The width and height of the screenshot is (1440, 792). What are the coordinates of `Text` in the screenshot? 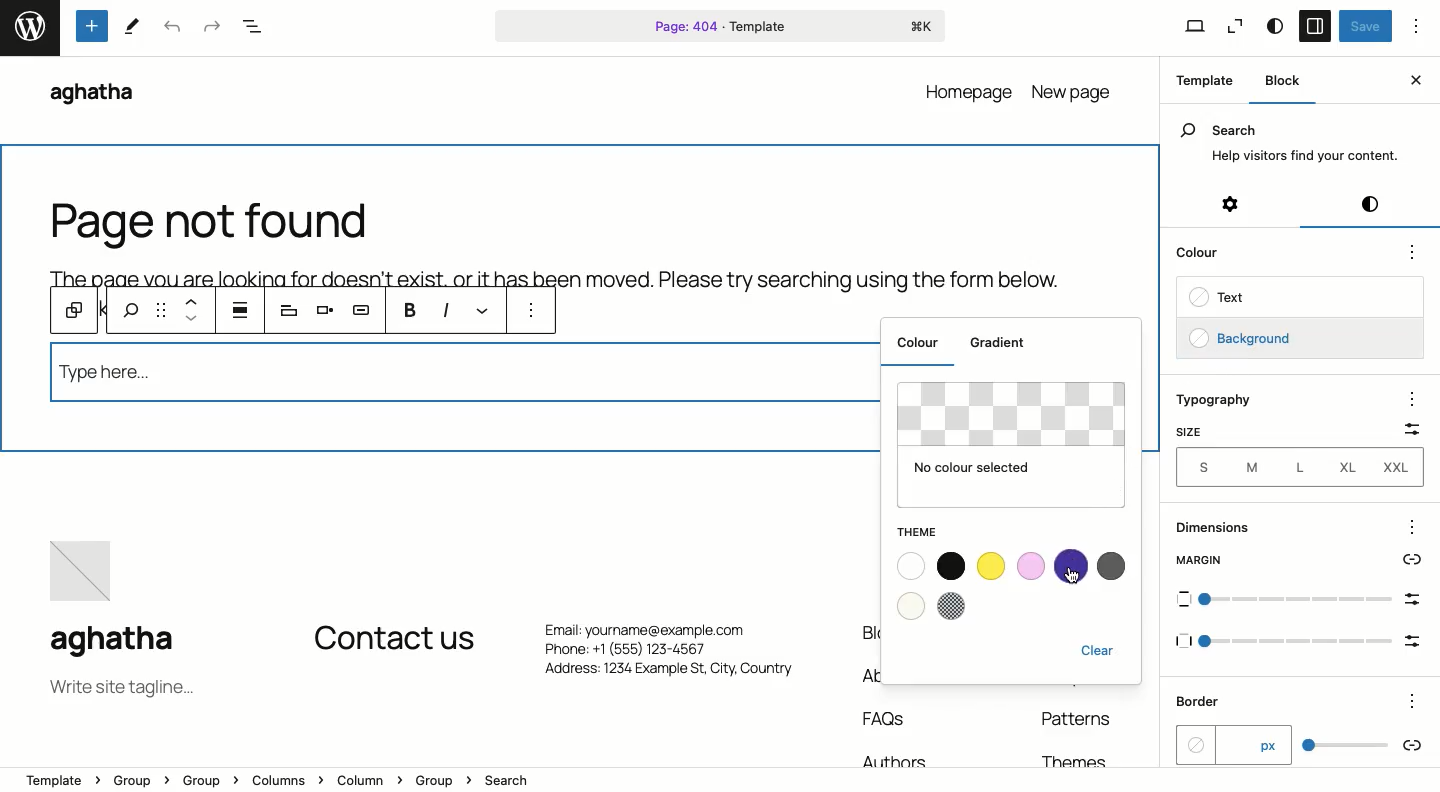 It's located at (1215, 296).